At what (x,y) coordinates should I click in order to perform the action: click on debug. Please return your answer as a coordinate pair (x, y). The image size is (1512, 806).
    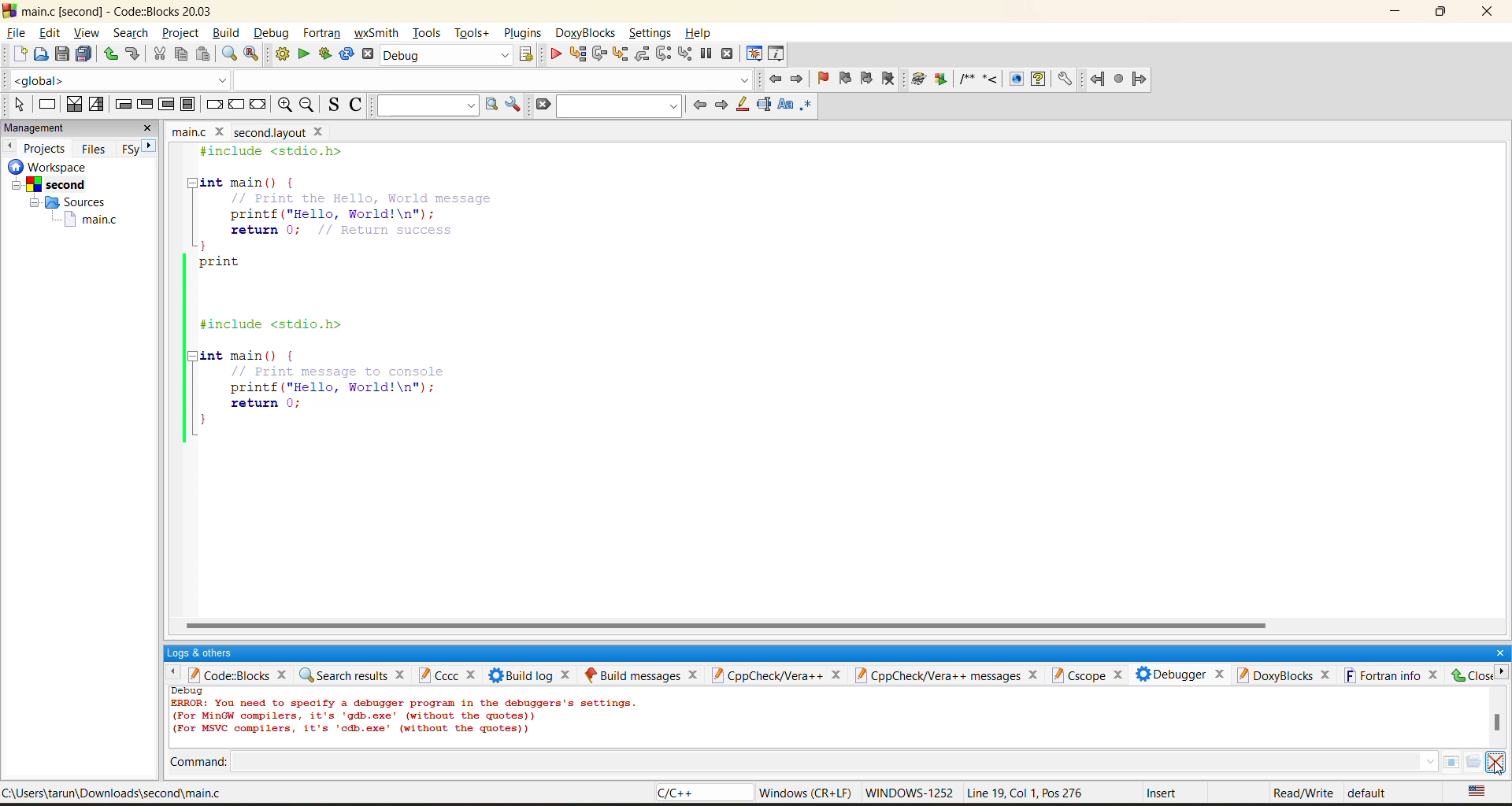
    Looking at the image, I should click on (273, 35).